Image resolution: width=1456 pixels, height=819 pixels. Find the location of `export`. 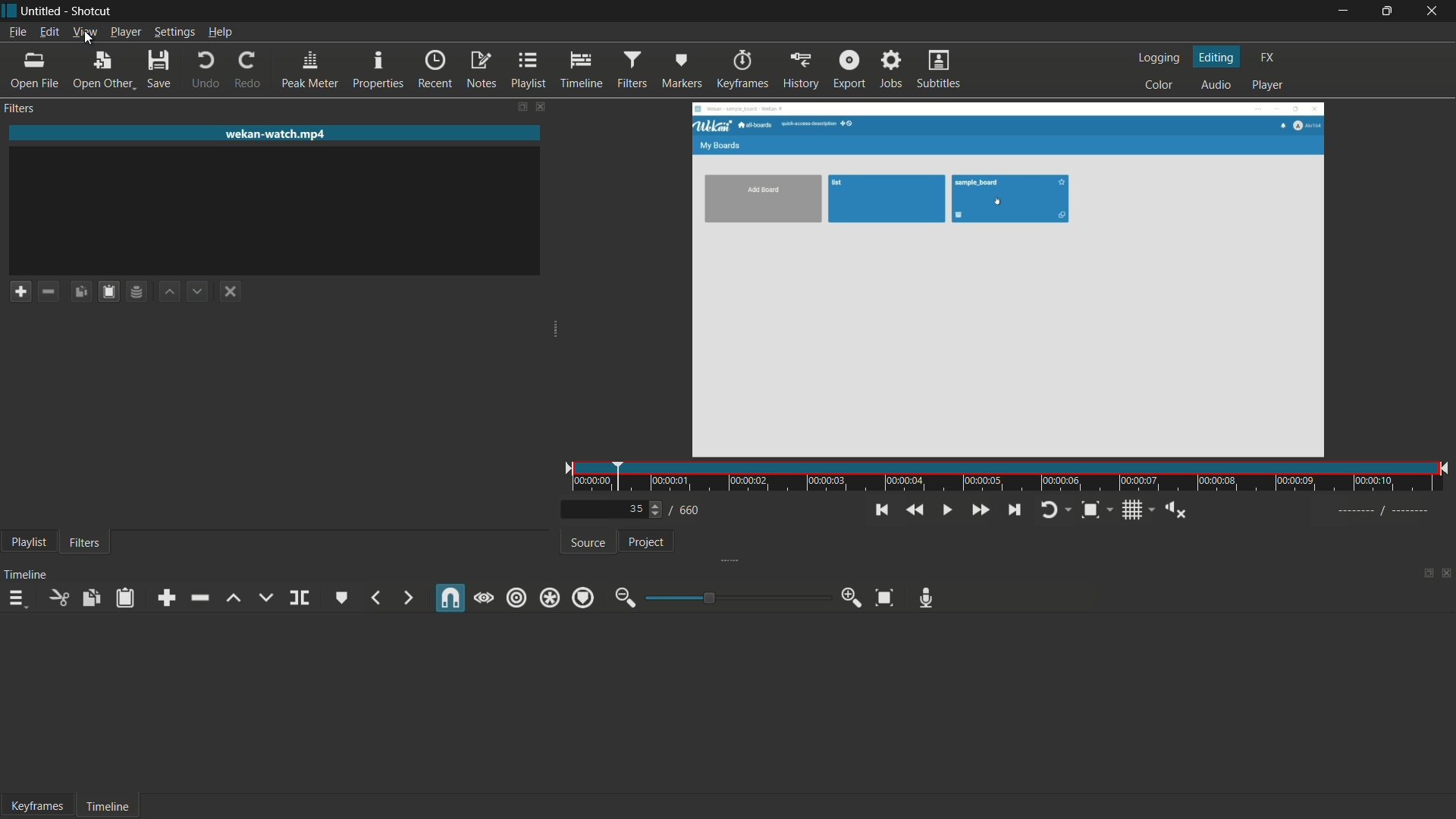

export is located at coordinates (848, 71).